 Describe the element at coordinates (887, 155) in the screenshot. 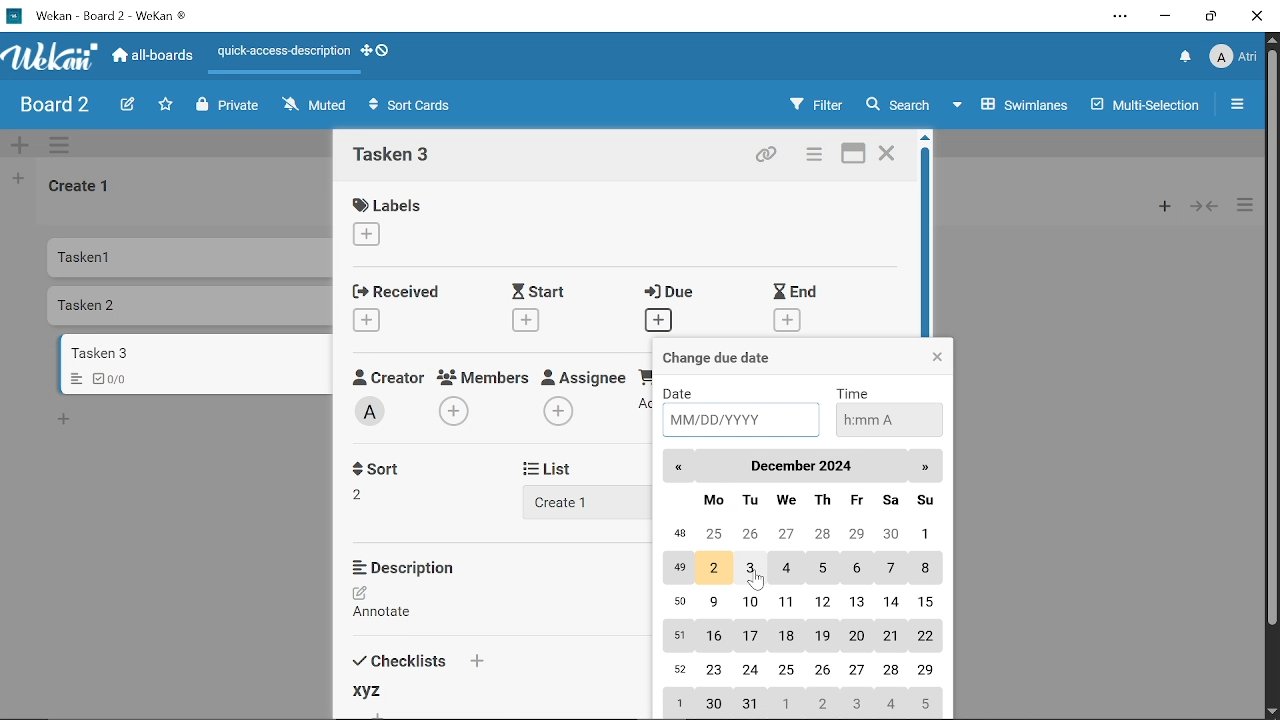

I see `Close ` at that location.